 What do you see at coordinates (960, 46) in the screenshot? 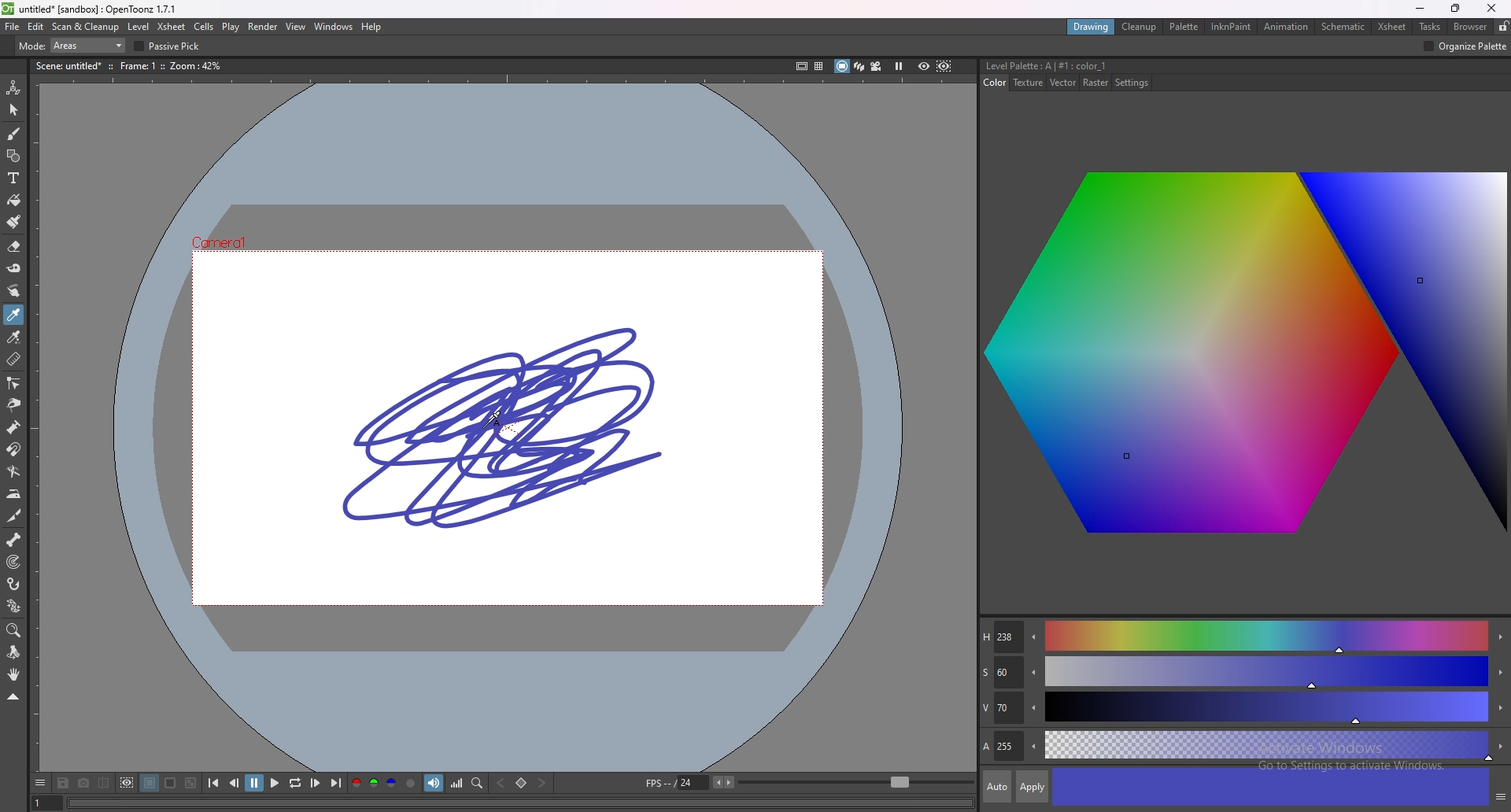
I see `x` at bounding box center [960, 46].